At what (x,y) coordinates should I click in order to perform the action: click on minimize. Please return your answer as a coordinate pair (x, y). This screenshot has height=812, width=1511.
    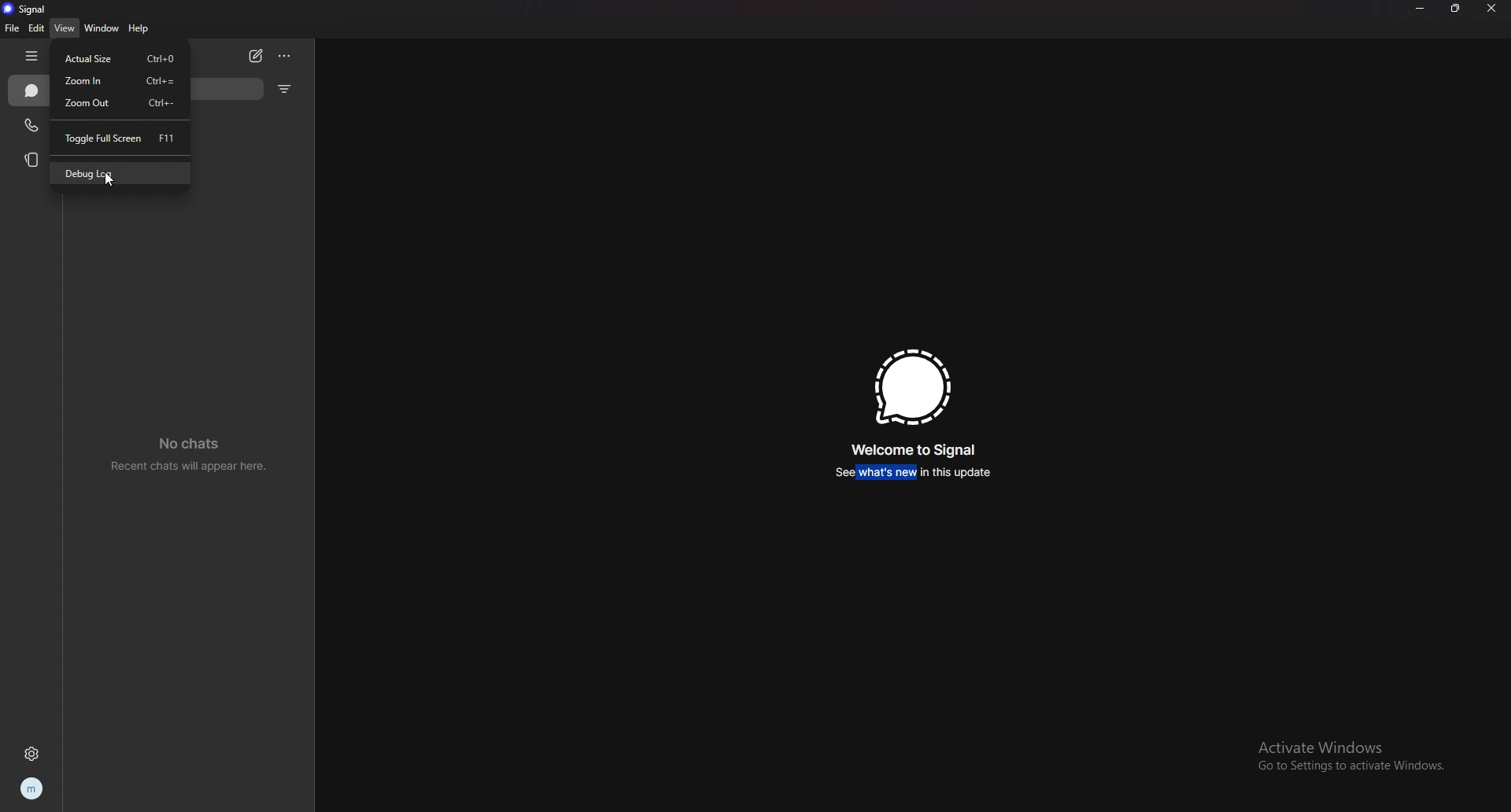
    Looking at the image, I should click on (1421, 8).